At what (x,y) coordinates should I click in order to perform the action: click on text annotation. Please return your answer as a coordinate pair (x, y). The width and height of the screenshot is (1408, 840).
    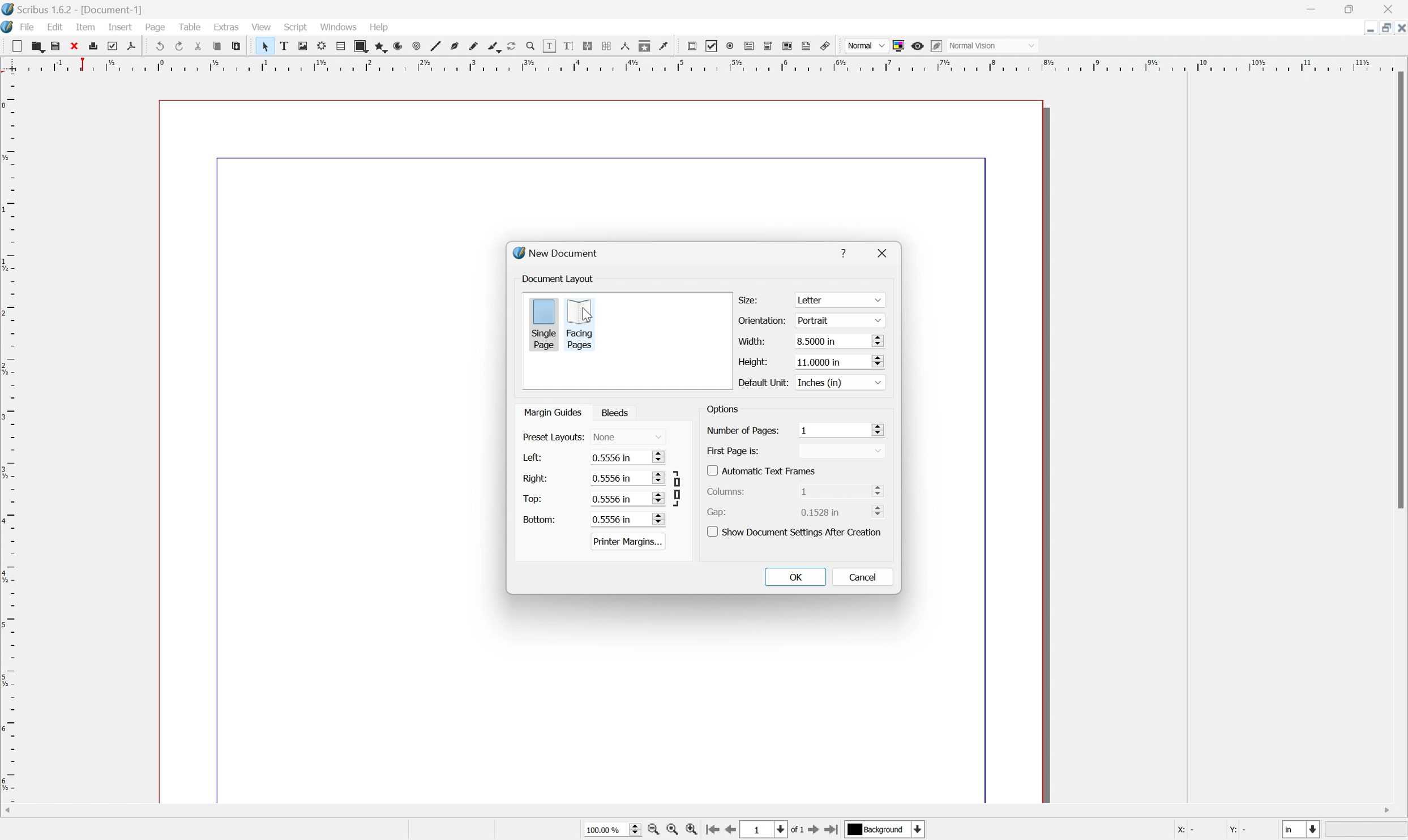
    Looking at the image, I should click on (807, 46).